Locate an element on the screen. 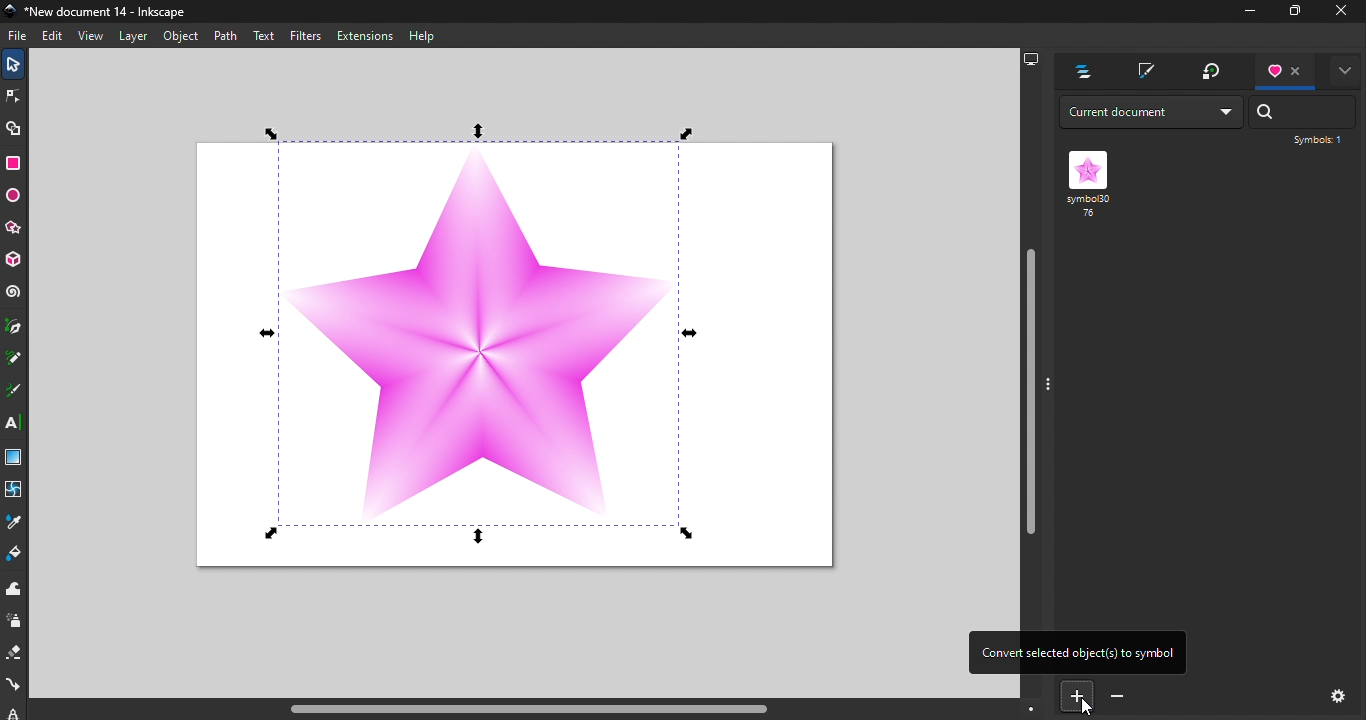  Canvas is located at coordinates (502, 342).